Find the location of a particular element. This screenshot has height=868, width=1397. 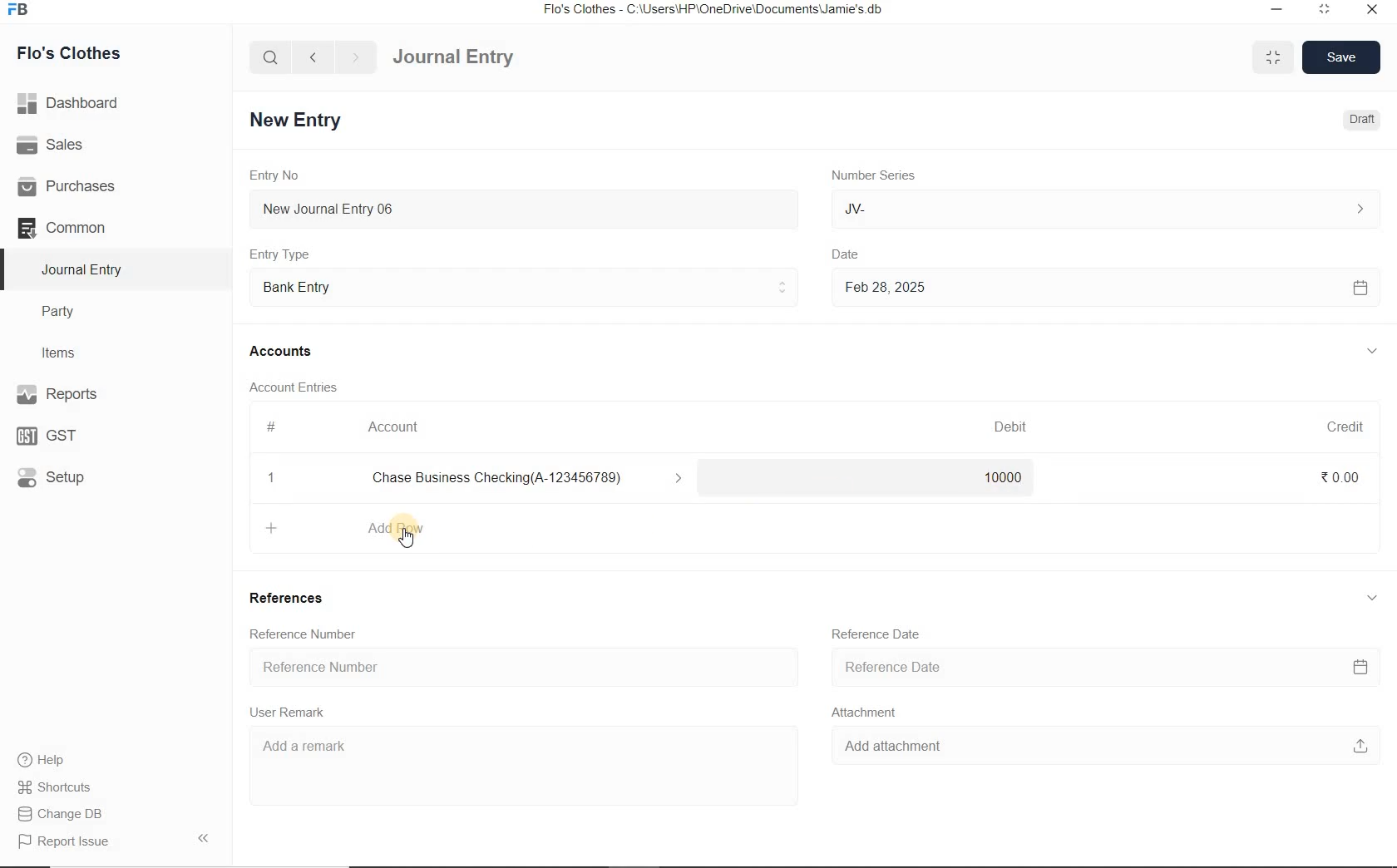

Collpase is located at coordinates (203, 837).